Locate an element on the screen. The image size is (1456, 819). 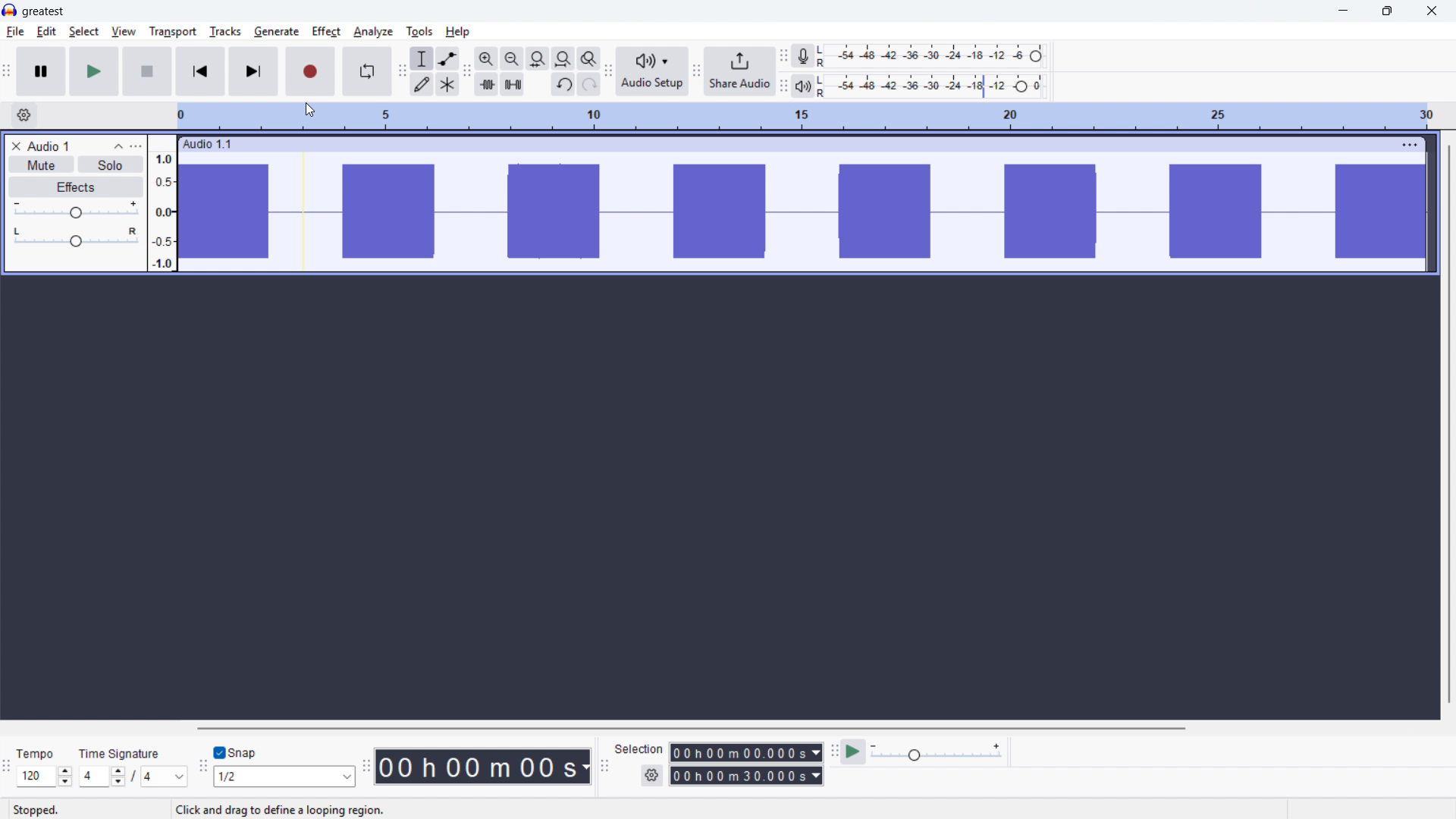
trim audio outside selection is located at coordinates (486, 85).